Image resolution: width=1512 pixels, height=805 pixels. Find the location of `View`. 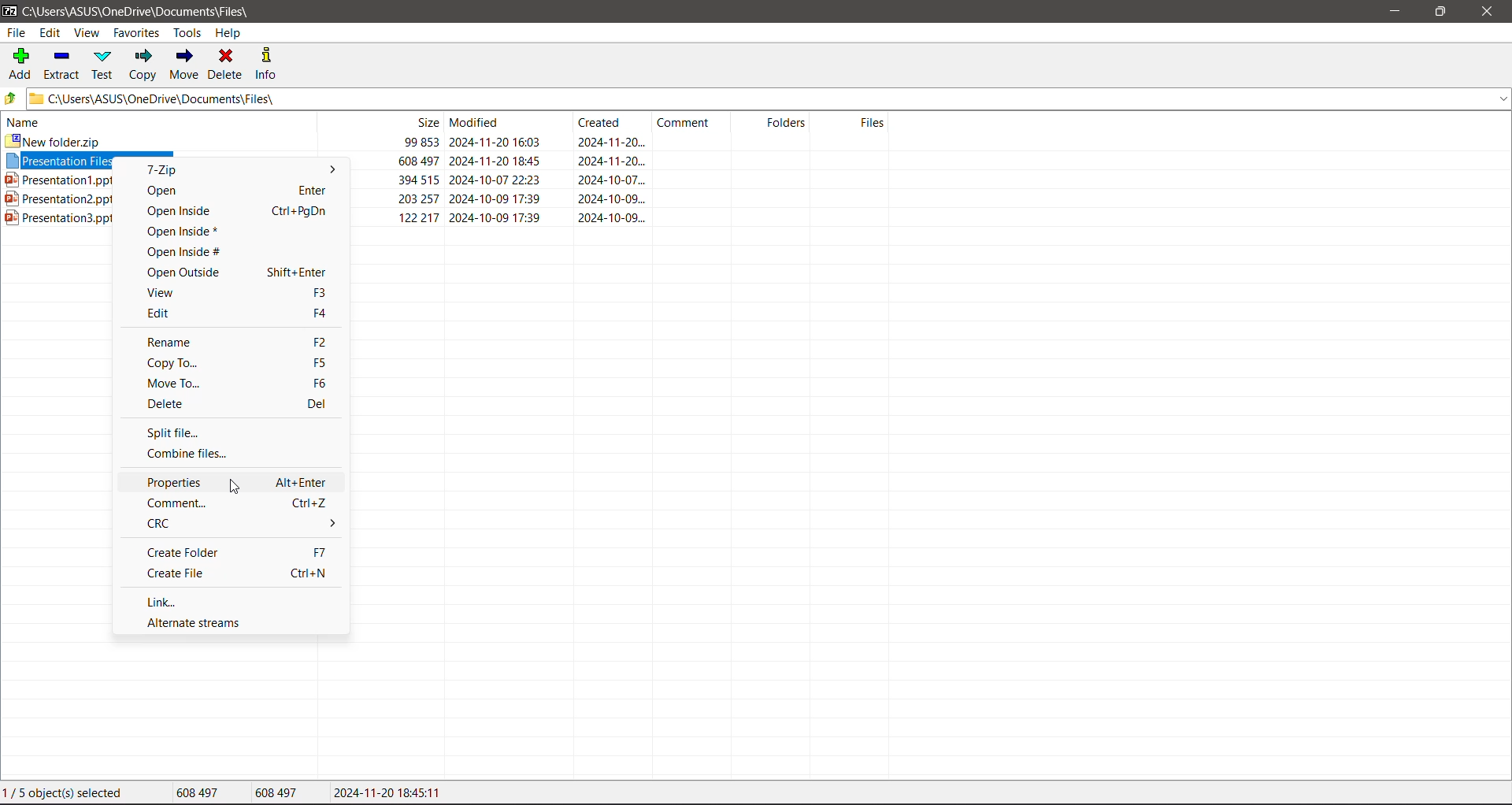

View is located at coordinates (86, 33).